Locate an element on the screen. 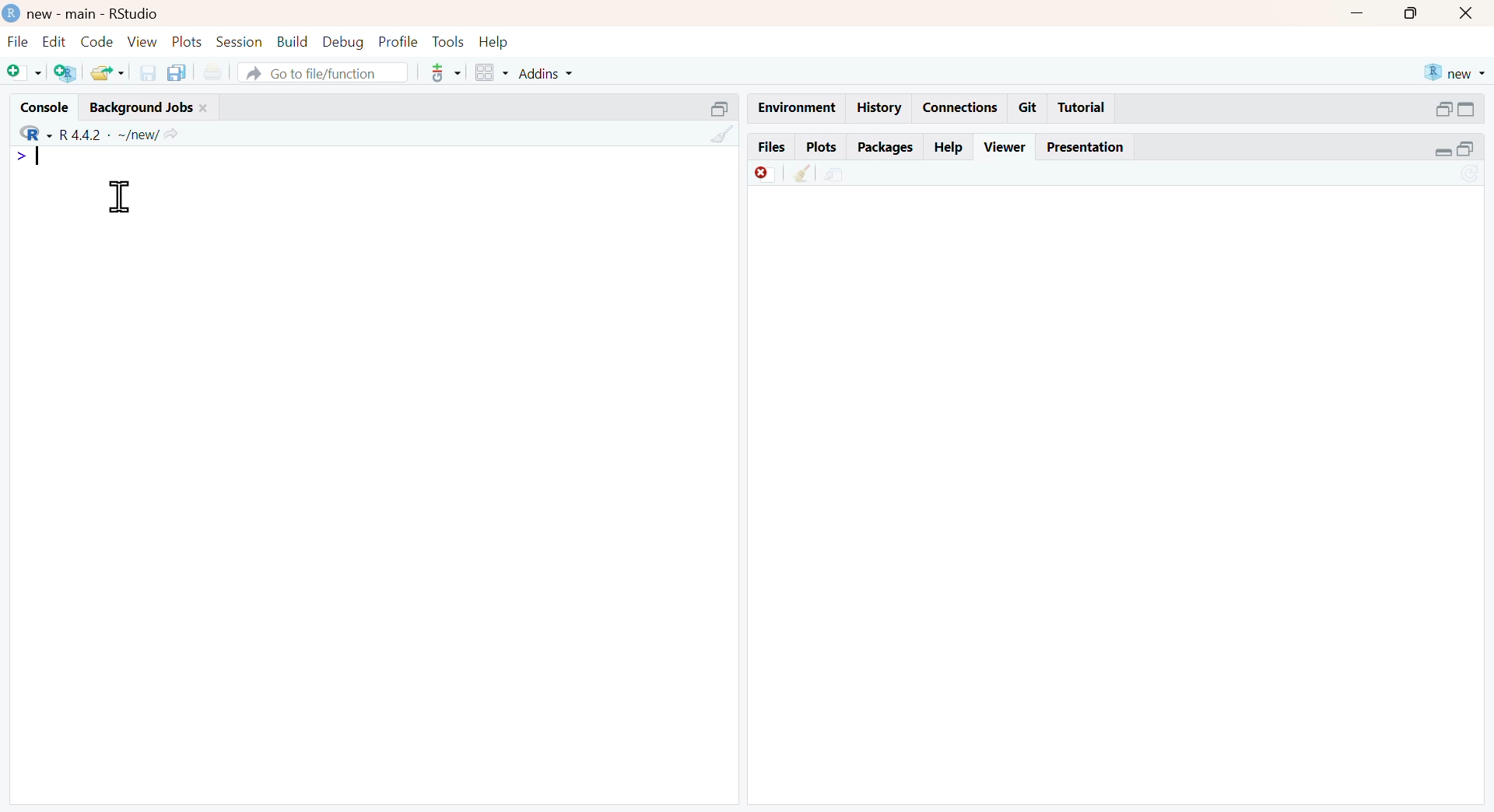 The width and height of the screenshot is (1494, 812). Background jobs is located at coordinates (142, 110).